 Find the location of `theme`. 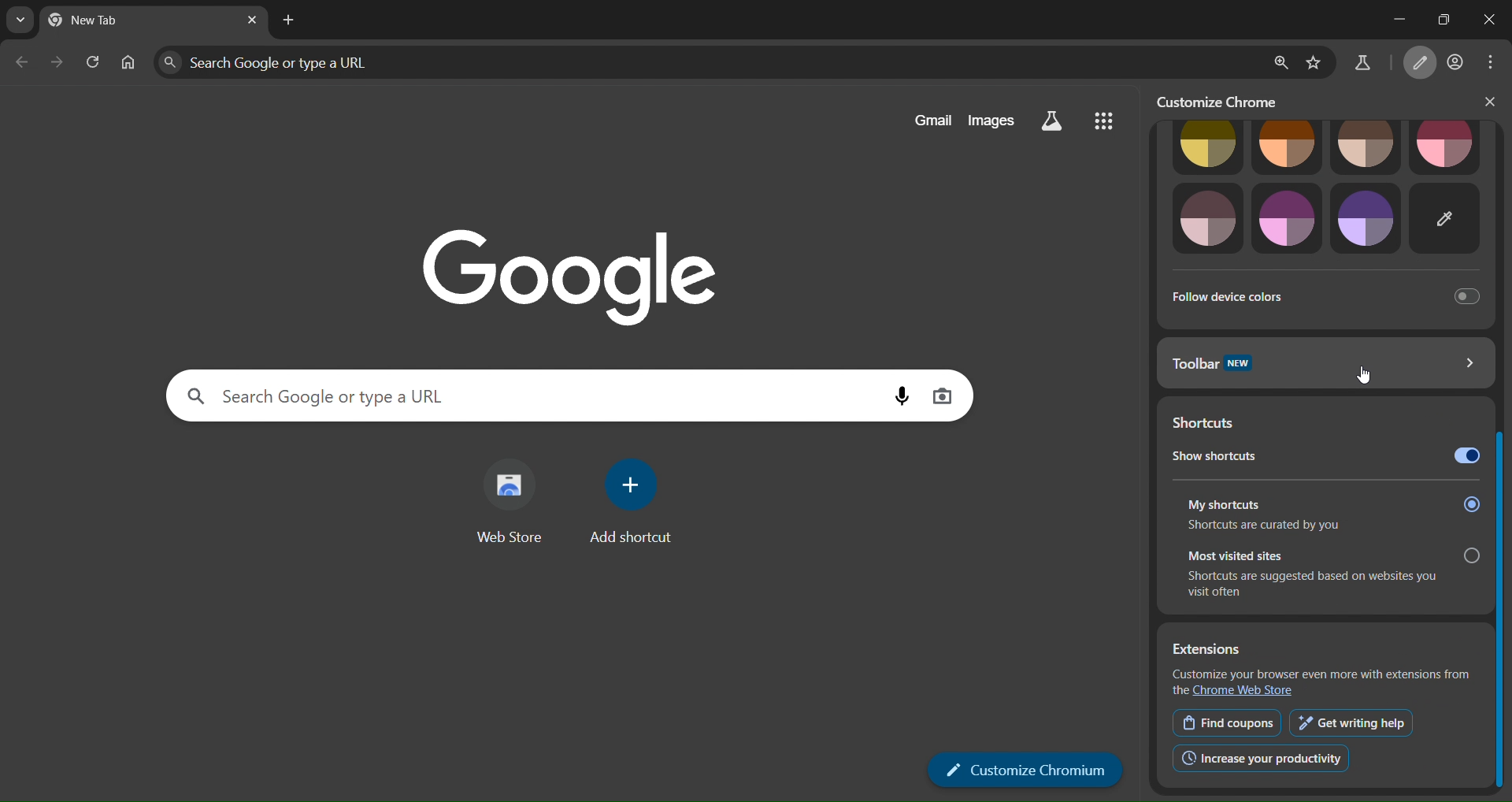

theme is located at coordinates (1366, 146).